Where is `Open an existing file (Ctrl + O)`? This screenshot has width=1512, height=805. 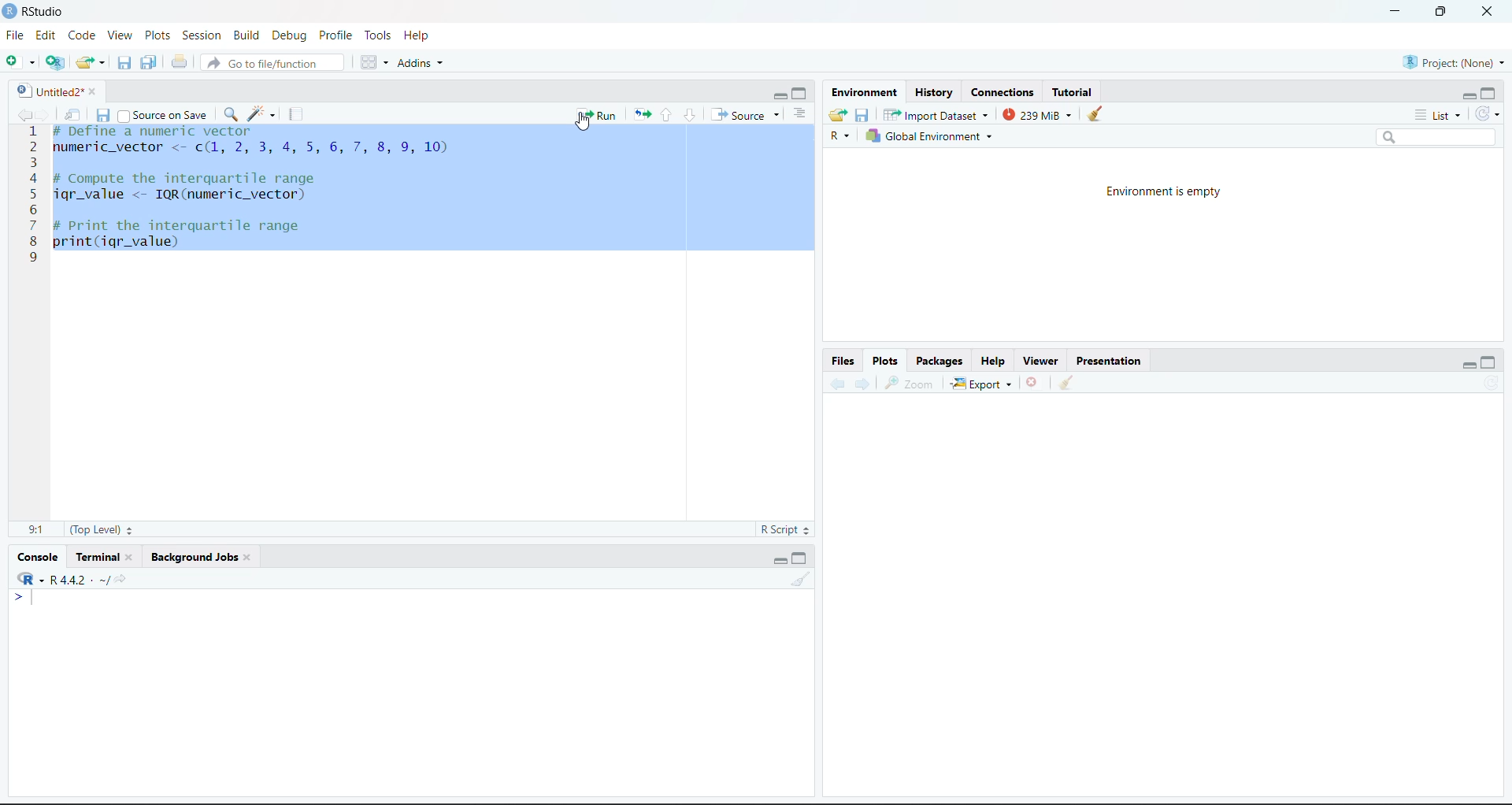 Open an existing file (Ctrl + O) is located at coordinates (91, 60).